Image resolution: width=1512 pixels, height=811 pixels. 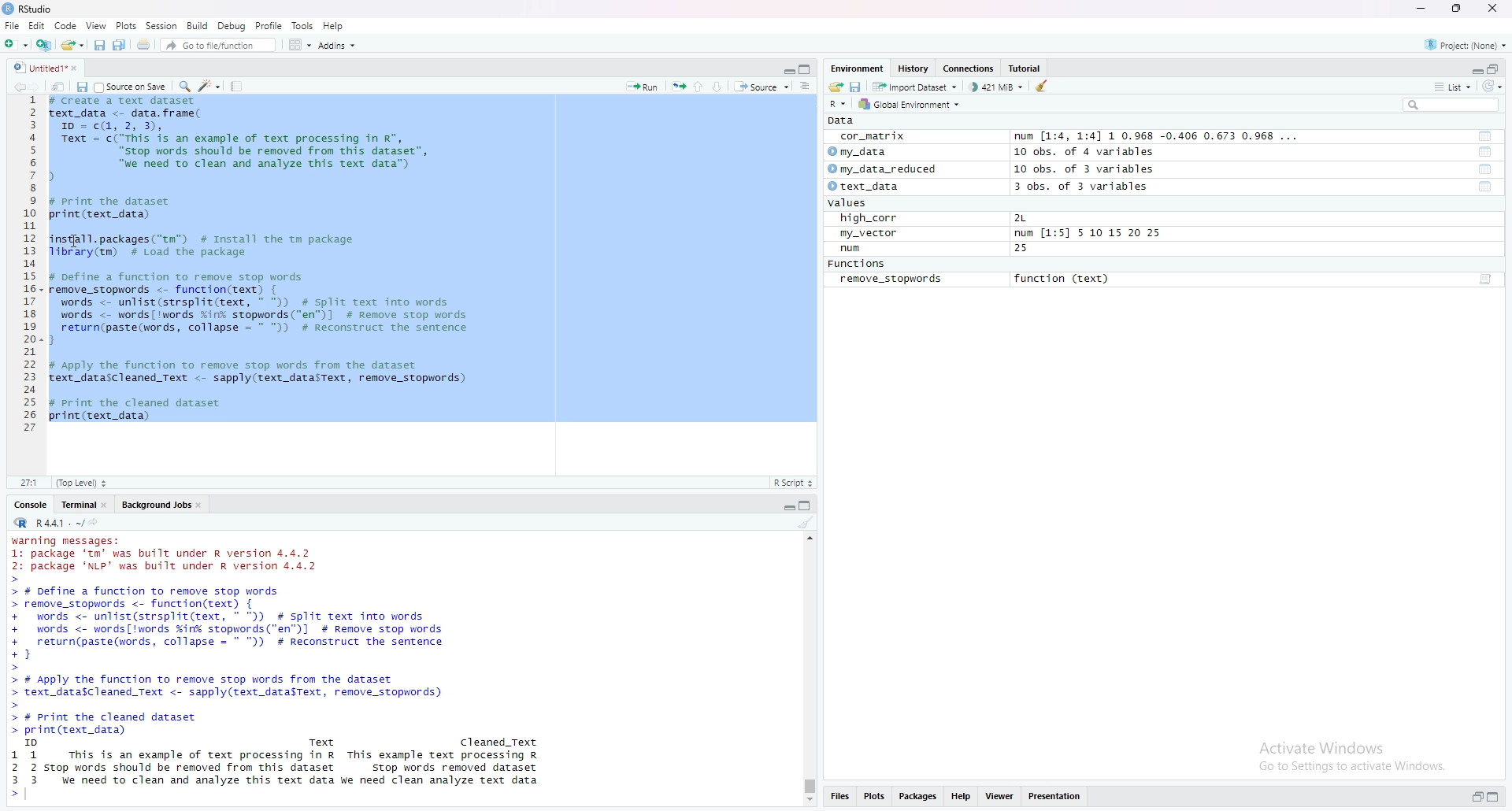 I want to click on profile, so click(x=271, y=25).